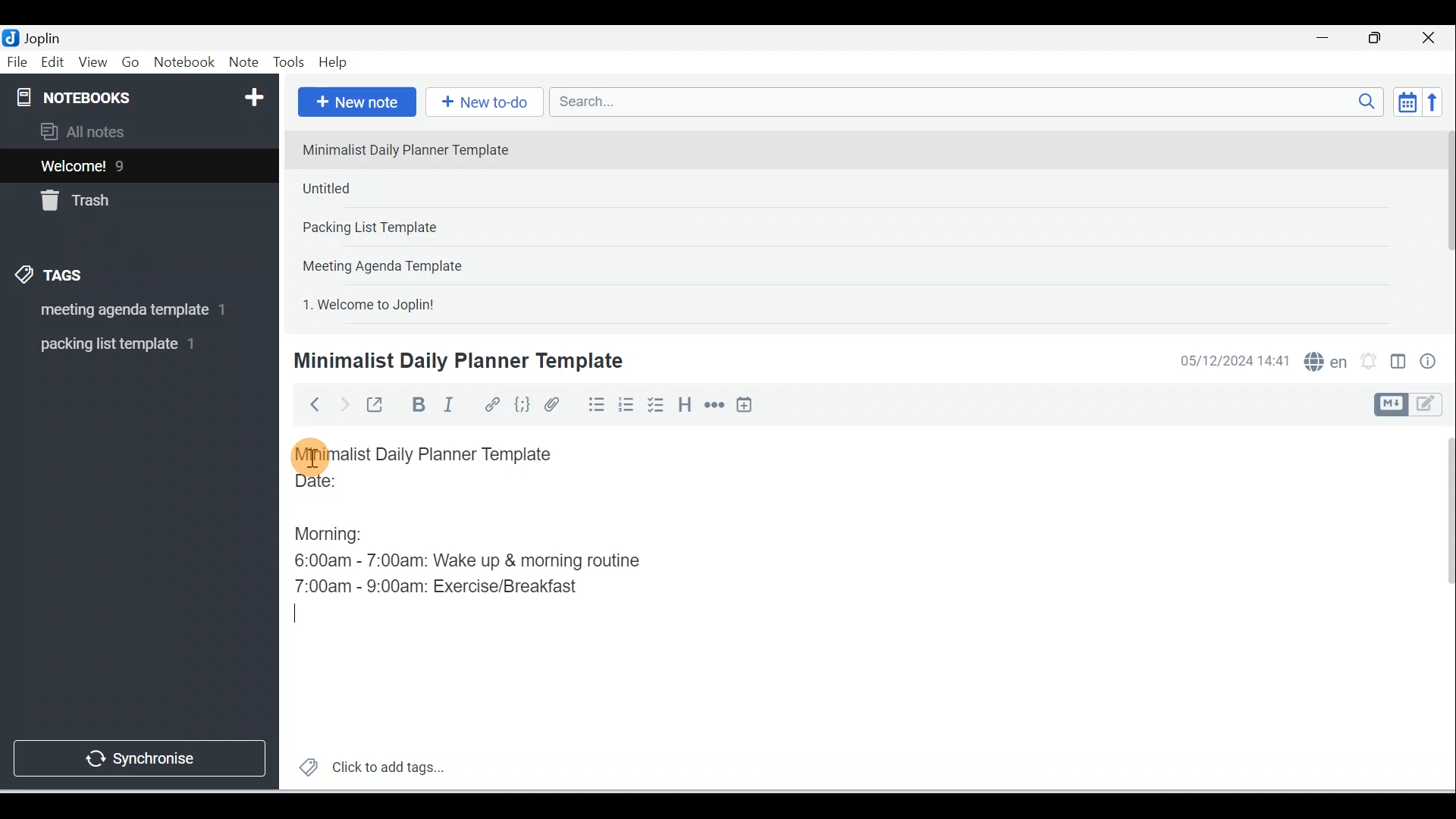 The image size is (1456, 819). I want to click on Date & time, so click(1232, 361).